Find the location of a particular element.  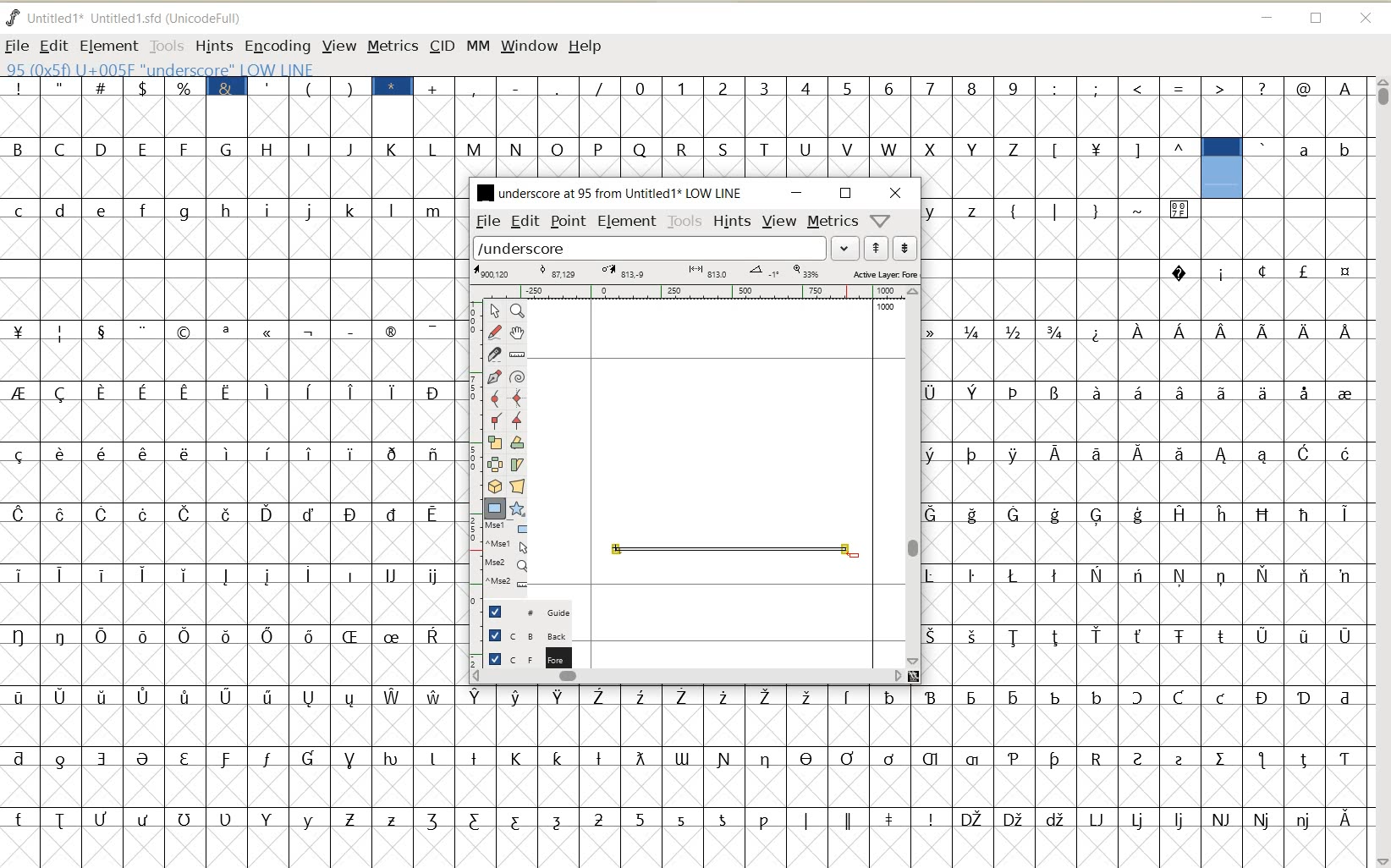

flip the selection is located at coordinates (494, 464).